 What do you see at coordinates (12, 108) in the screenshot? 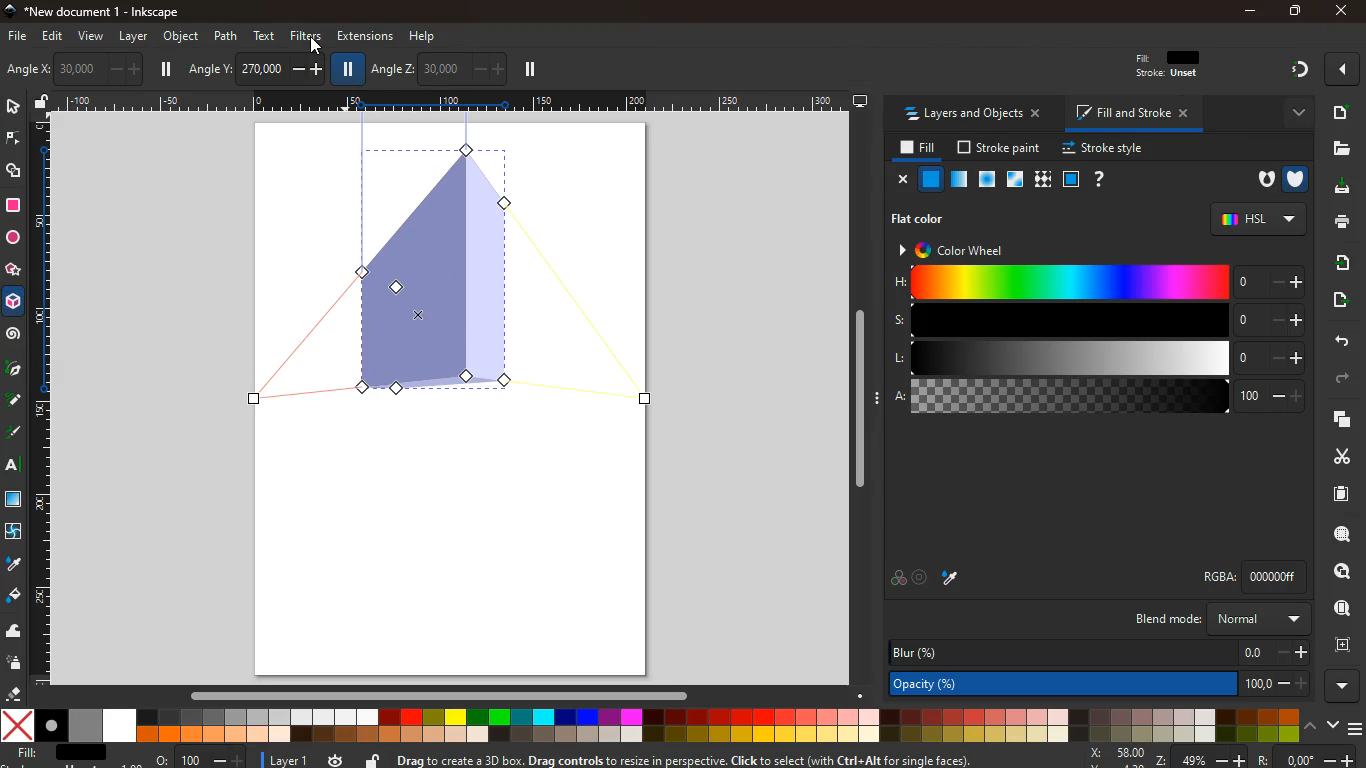
I see `select` at bounding box center [12, 108].